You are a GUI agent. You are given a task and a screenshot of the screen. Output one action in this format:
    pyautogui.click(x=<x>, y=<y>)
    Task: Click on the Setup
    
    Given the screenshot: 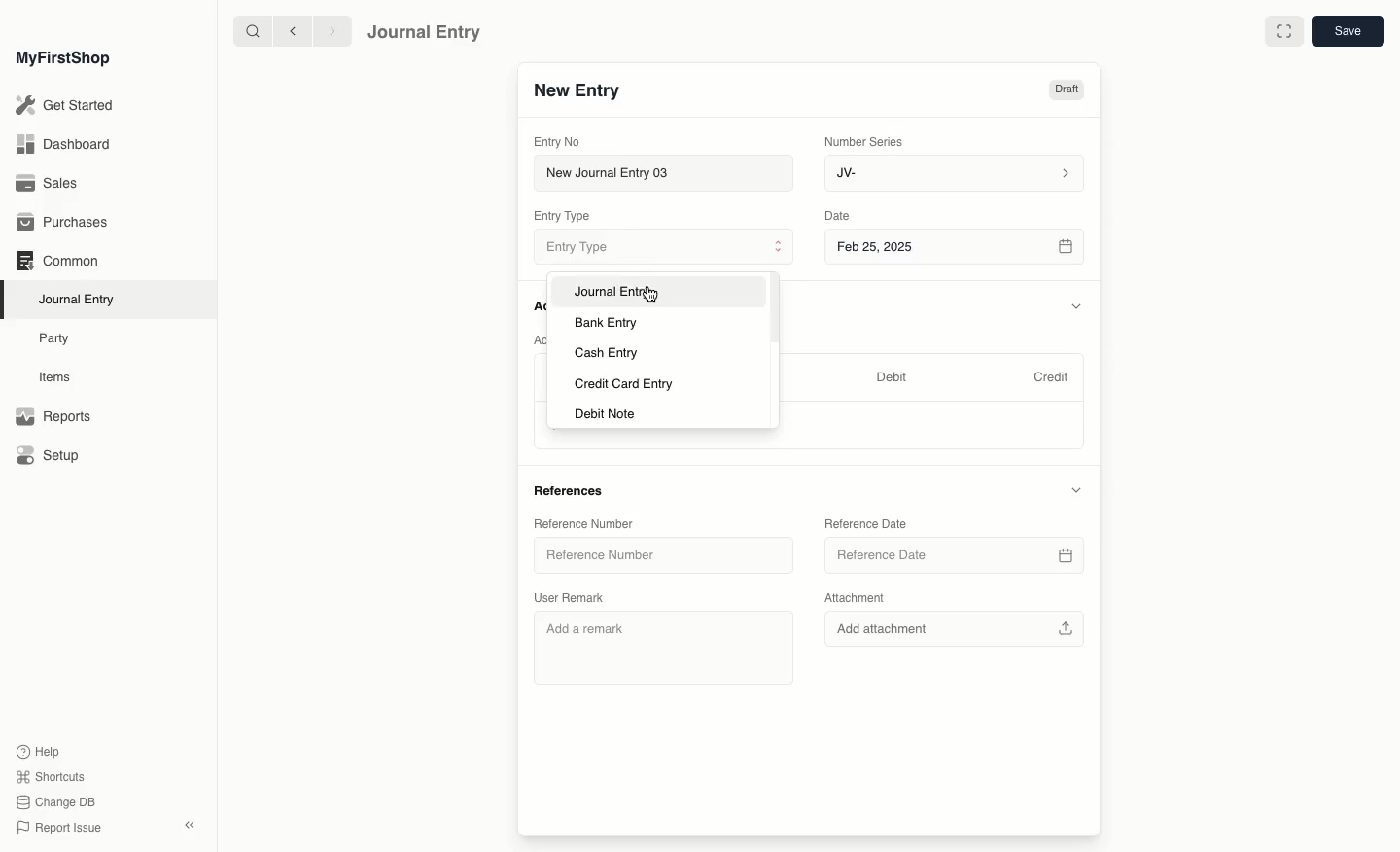 What is the action you would take?
    pyautogui.click(x=50, y=457)
    